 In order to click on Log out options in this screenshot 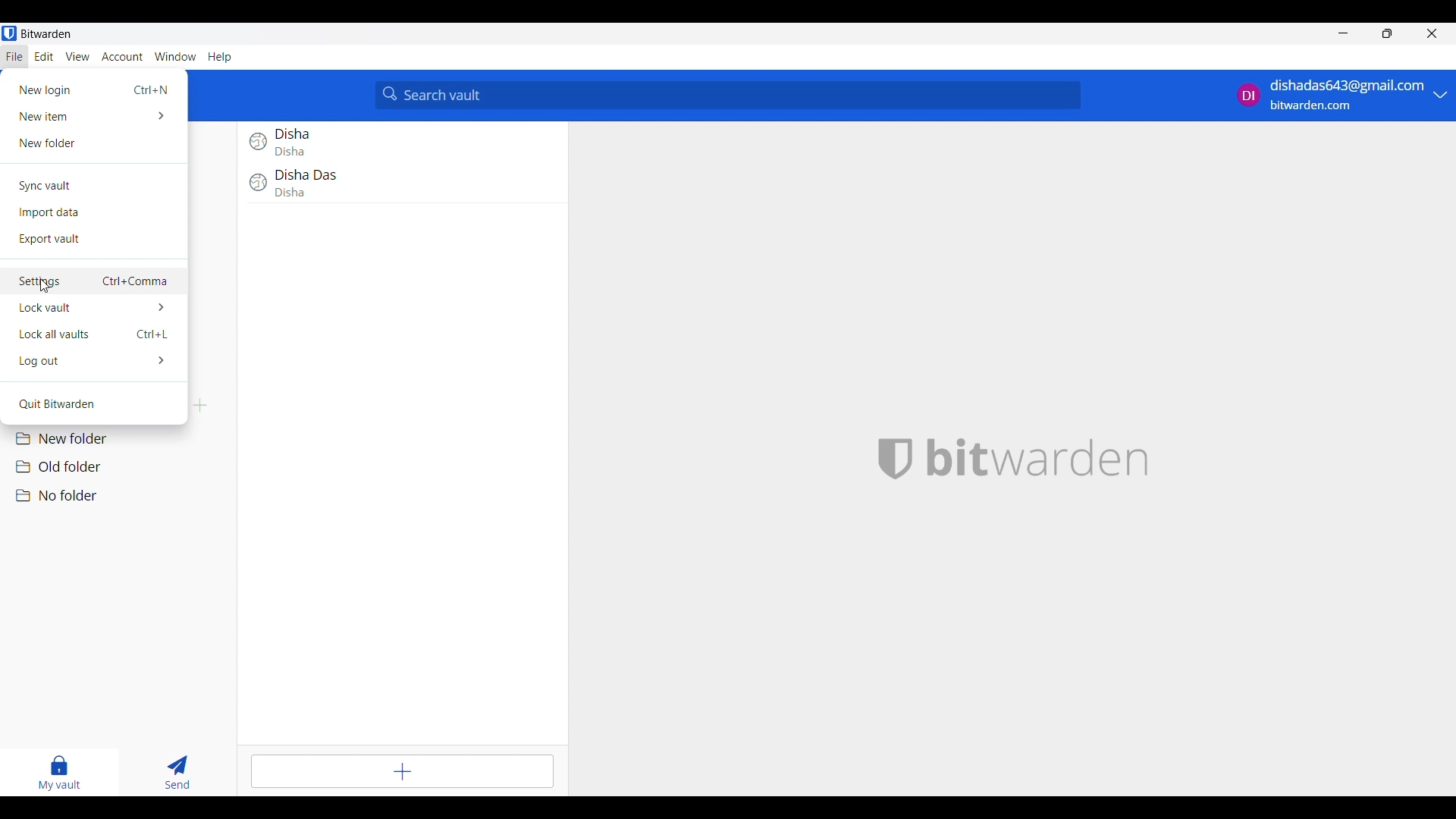, I will do `click(93, 362)`.